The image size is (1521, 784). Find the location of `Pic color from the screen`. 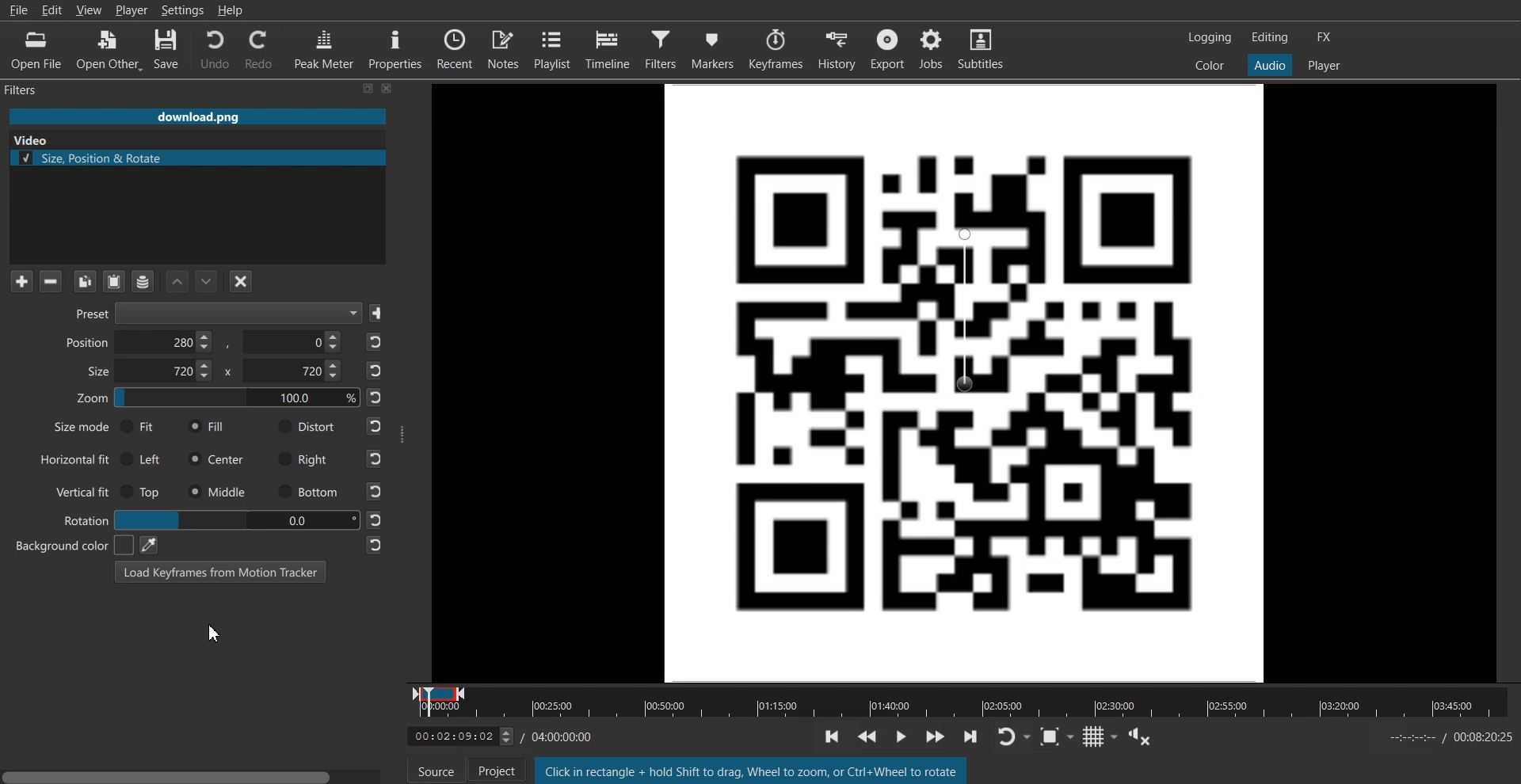

Pic color from the screen is located at coordinates (148, 544).